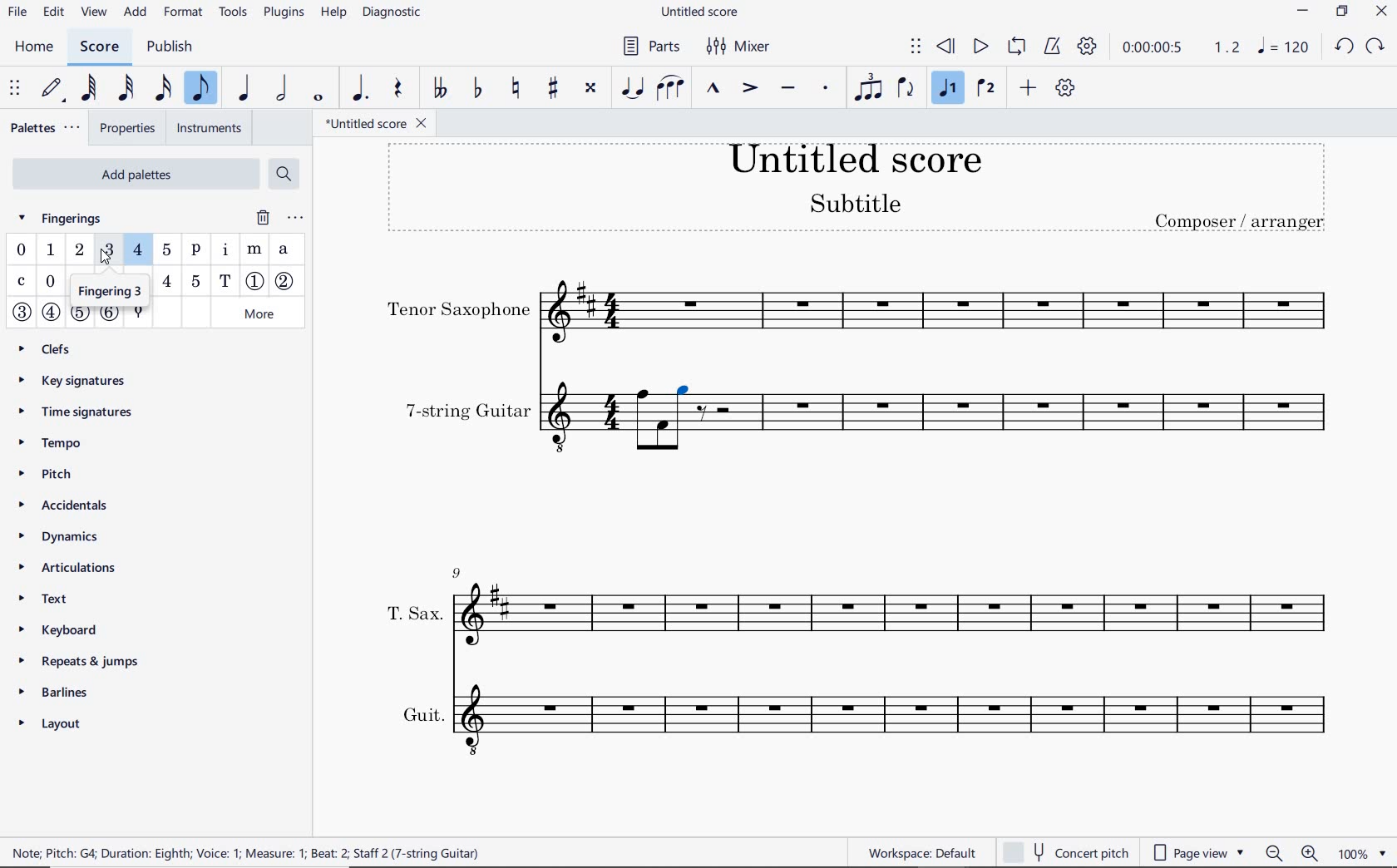  Describe the element at coordinates (286, 174) in the screenshot. I see `SEARCH PALETTES` at that location.